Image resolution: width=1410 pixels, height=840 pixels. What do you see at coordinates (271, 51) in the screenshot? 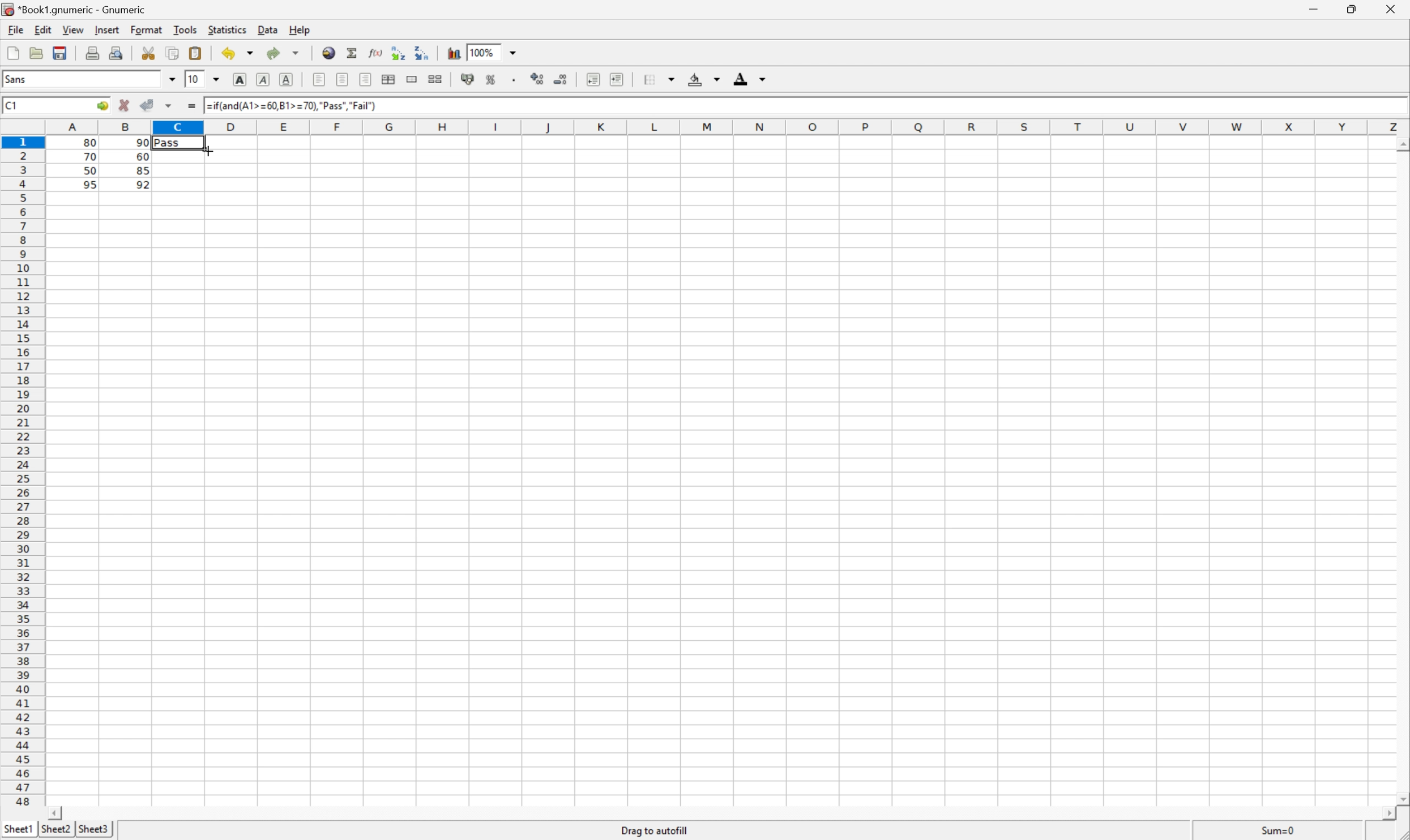
I see `Redo` at bounding box center [271, 51].